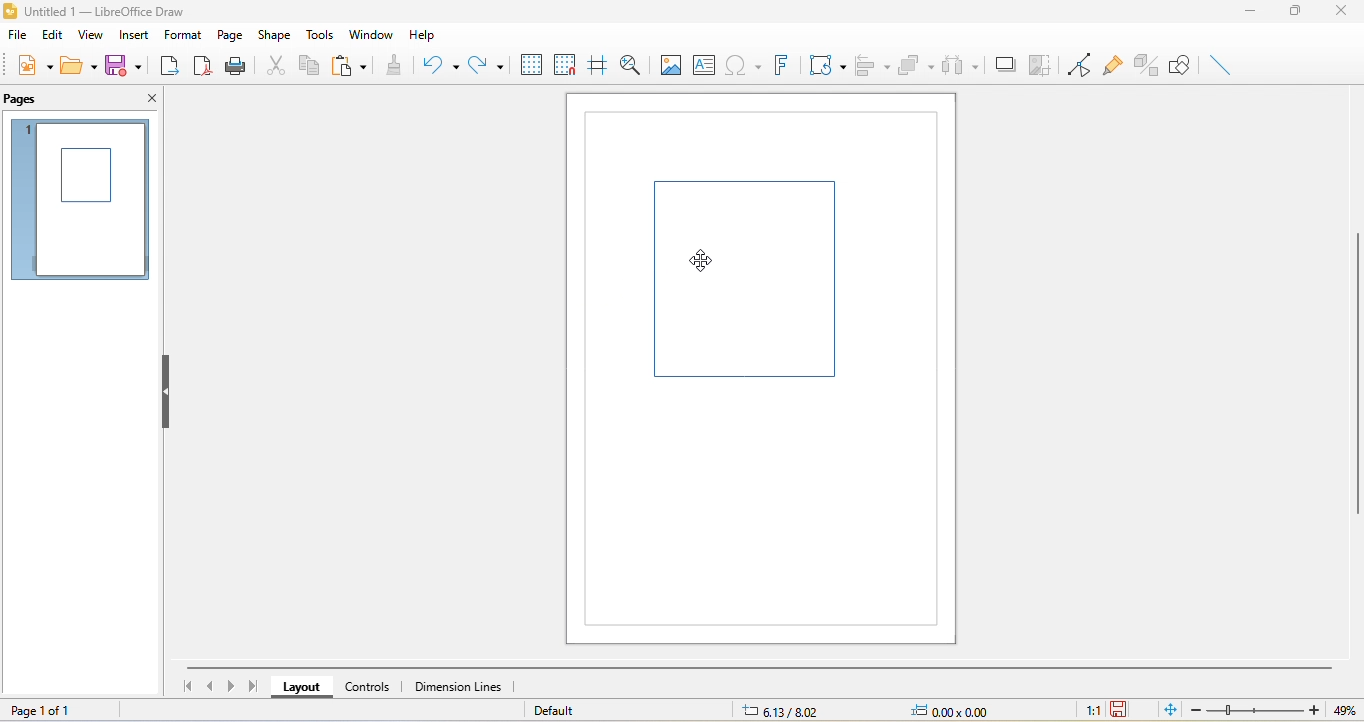  I want to click on shape, so click(788, 274).